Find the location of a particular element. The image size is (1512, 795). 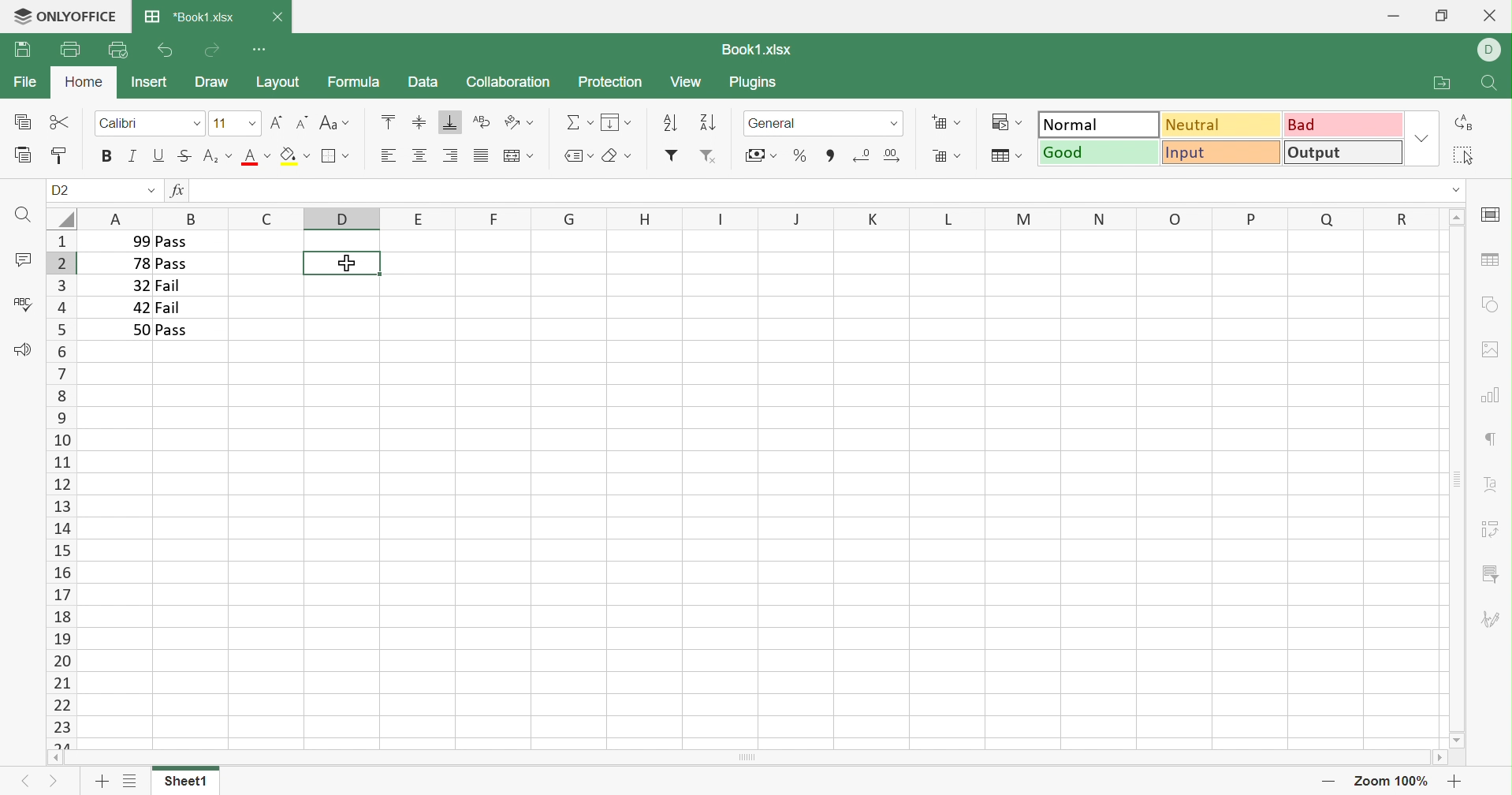

Align top is located at coordinates (388, 121).